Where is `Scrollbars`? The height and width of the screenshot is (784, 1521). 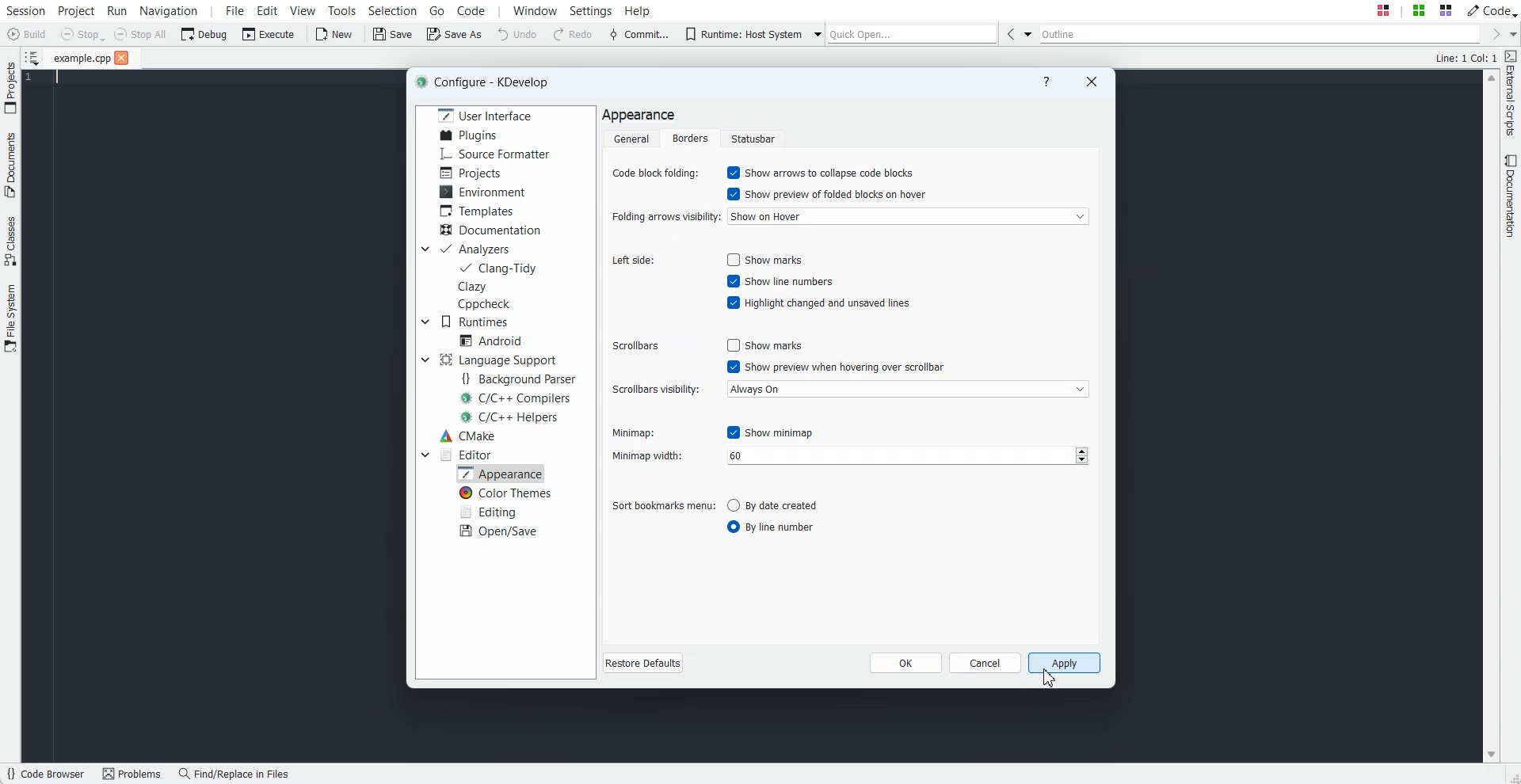 Scrollbars is located at coordinates (635, 346).